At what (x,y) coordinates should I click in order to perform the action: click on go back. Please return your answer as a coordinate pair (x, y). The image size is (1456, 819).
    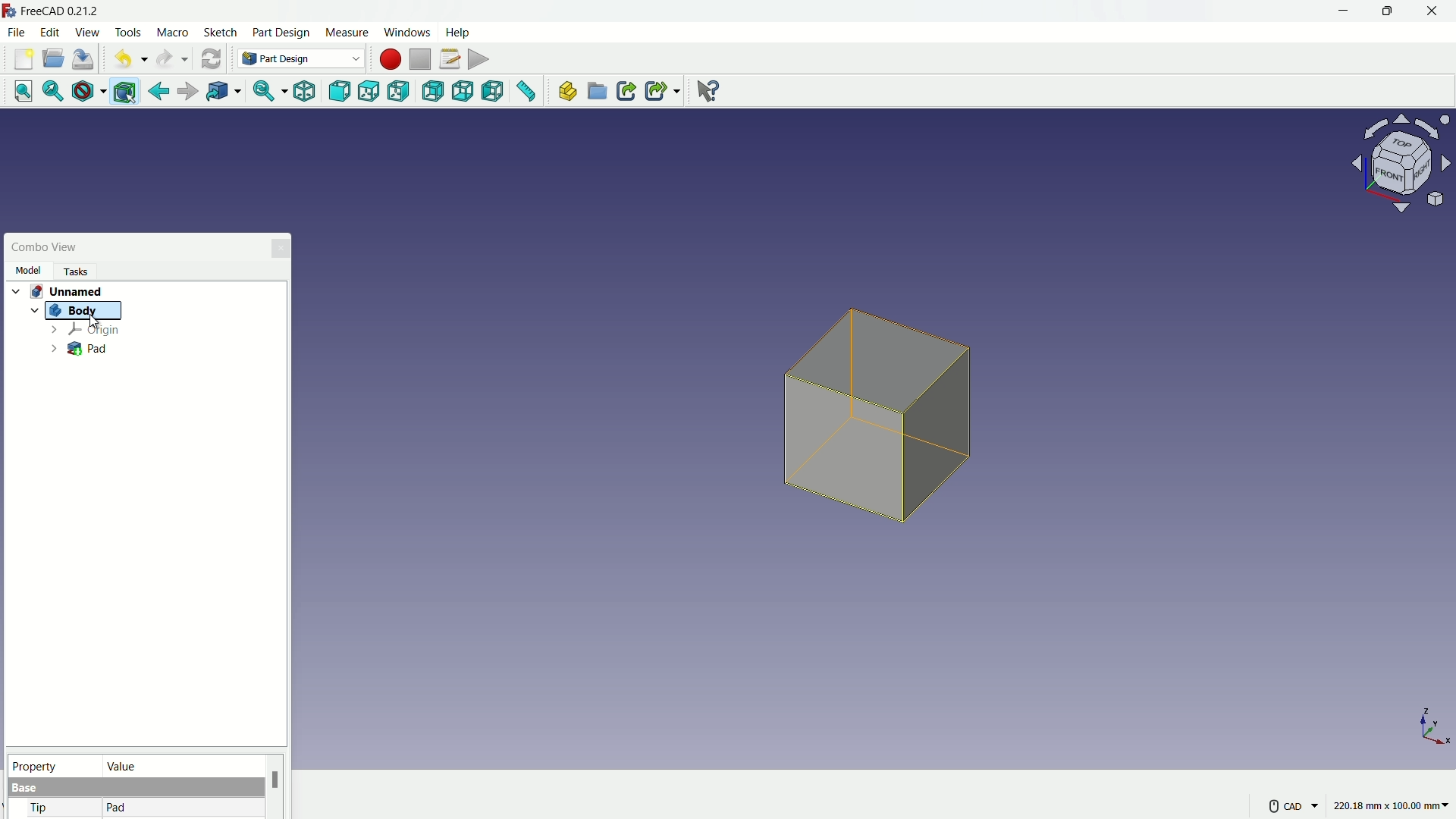
    Looking at the image, I should click on (159, 92).